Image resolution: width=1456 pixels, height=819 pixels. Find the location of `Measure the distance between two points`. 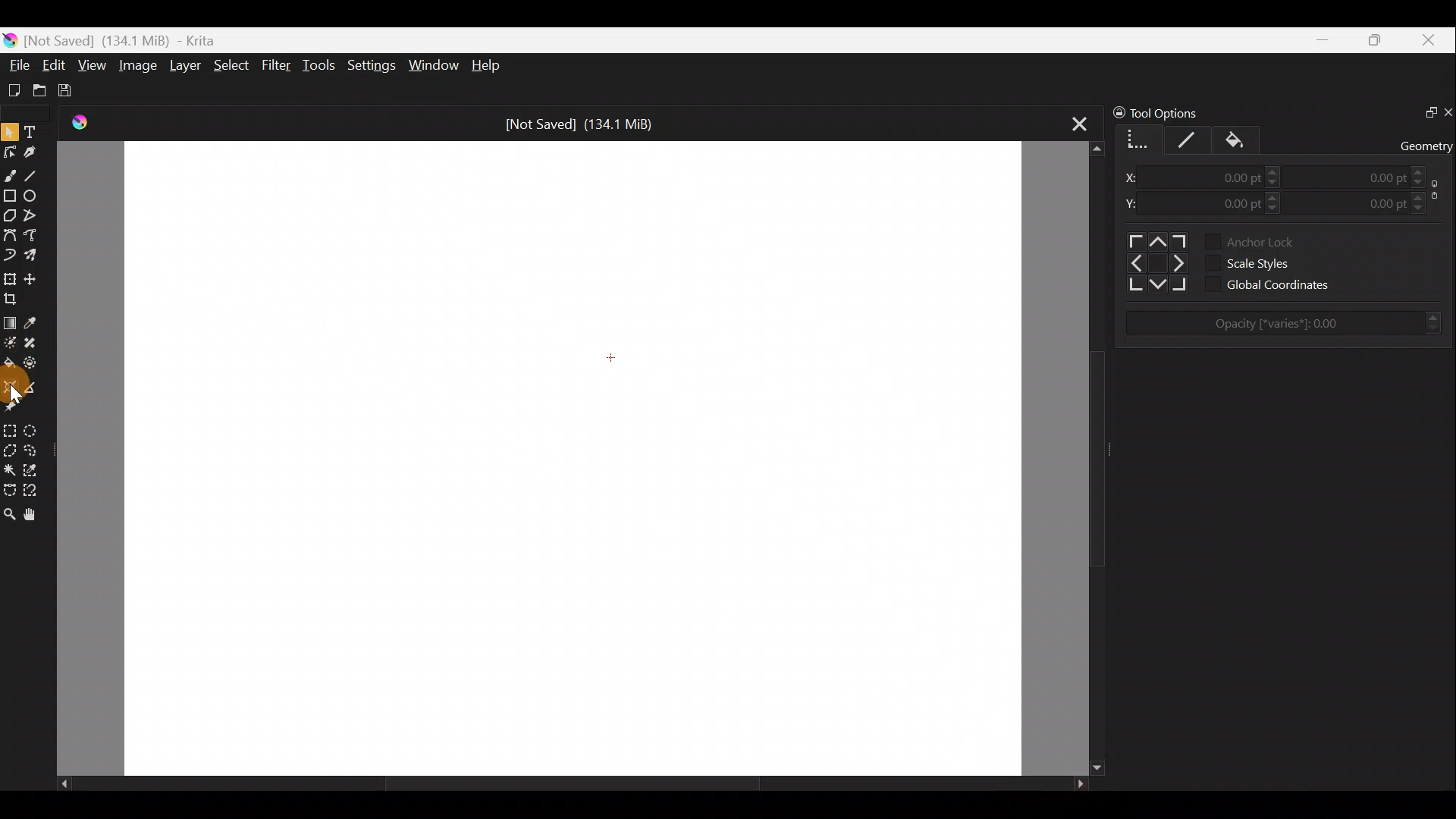

Measure the distance between two points is located at coordinates (36, 386).